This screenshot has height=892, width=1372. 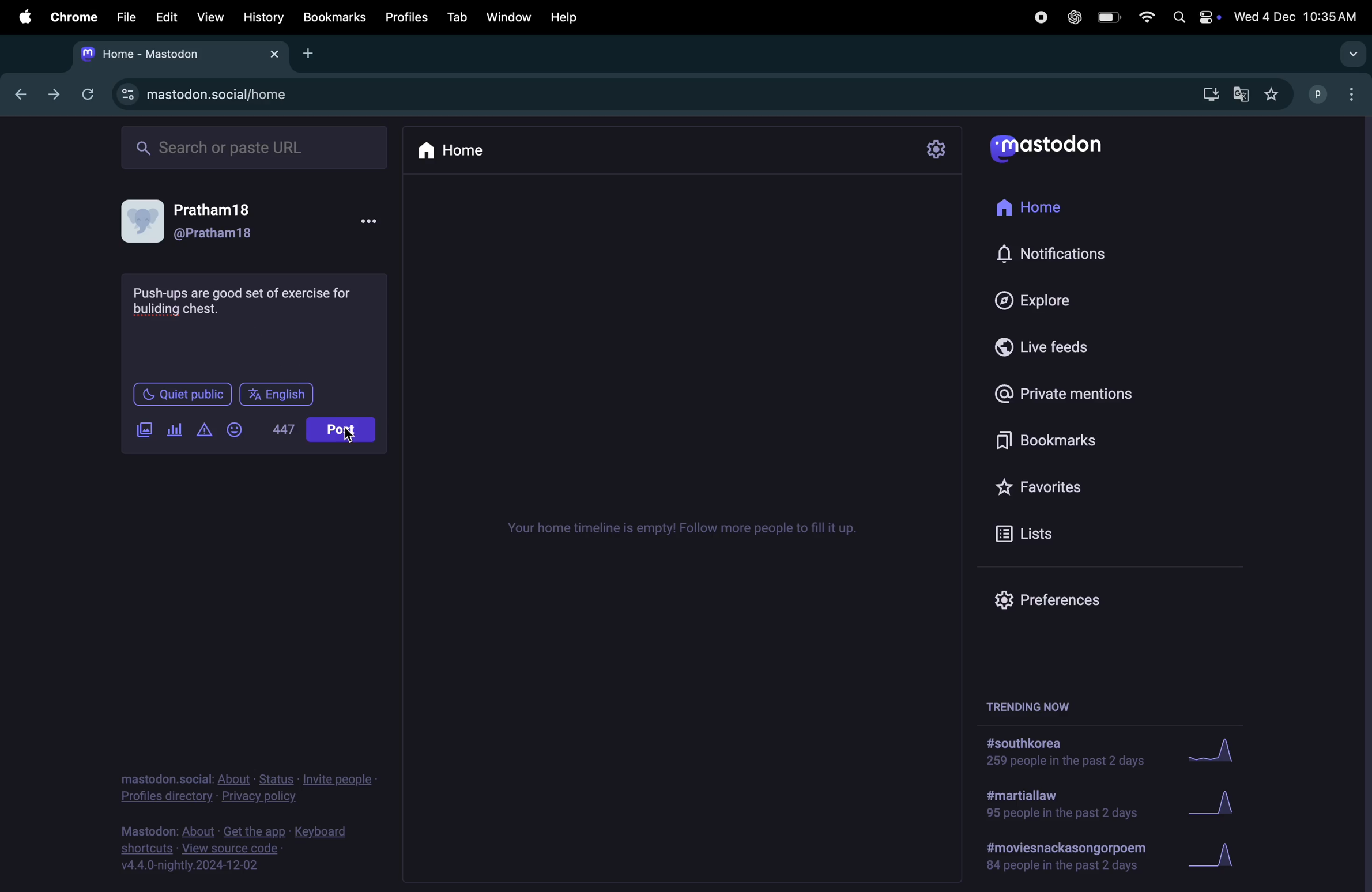 I want to click on battery, so click(x=1111, y=18).